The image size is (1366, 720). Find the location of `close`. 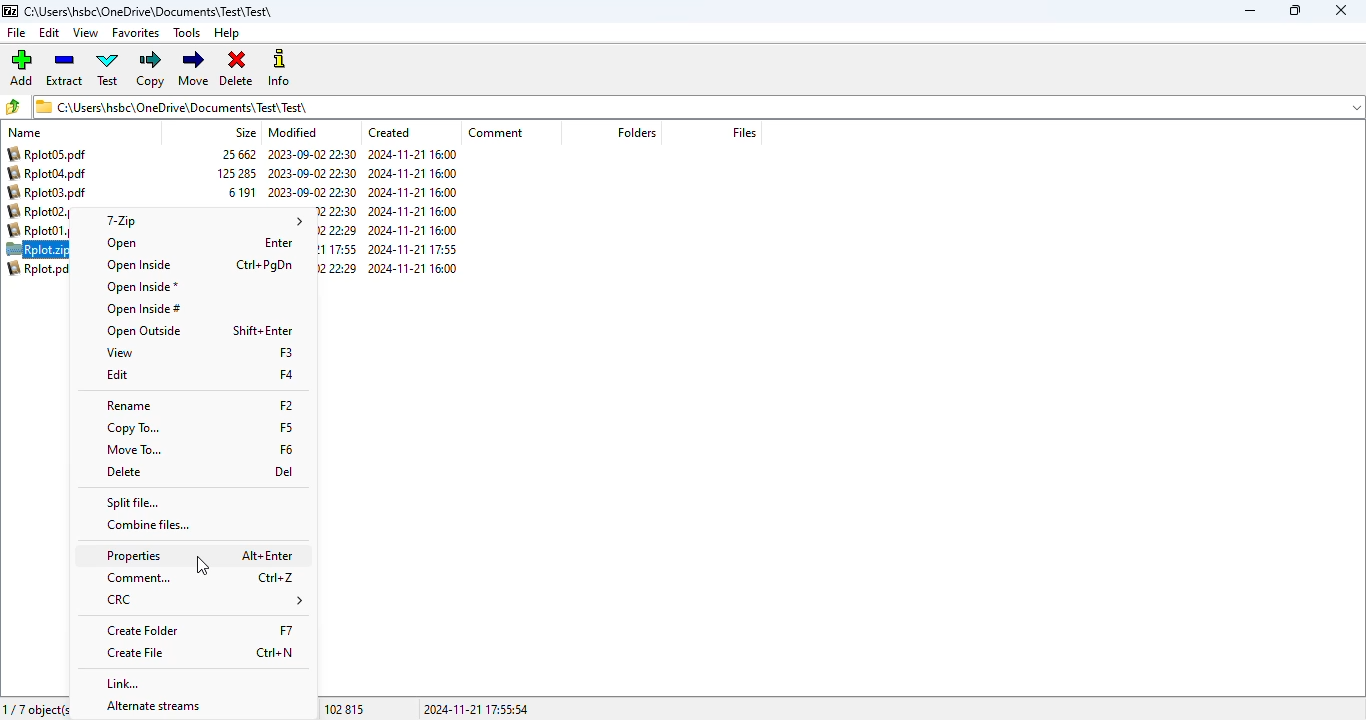

close is located at coordinates (1342, 11).